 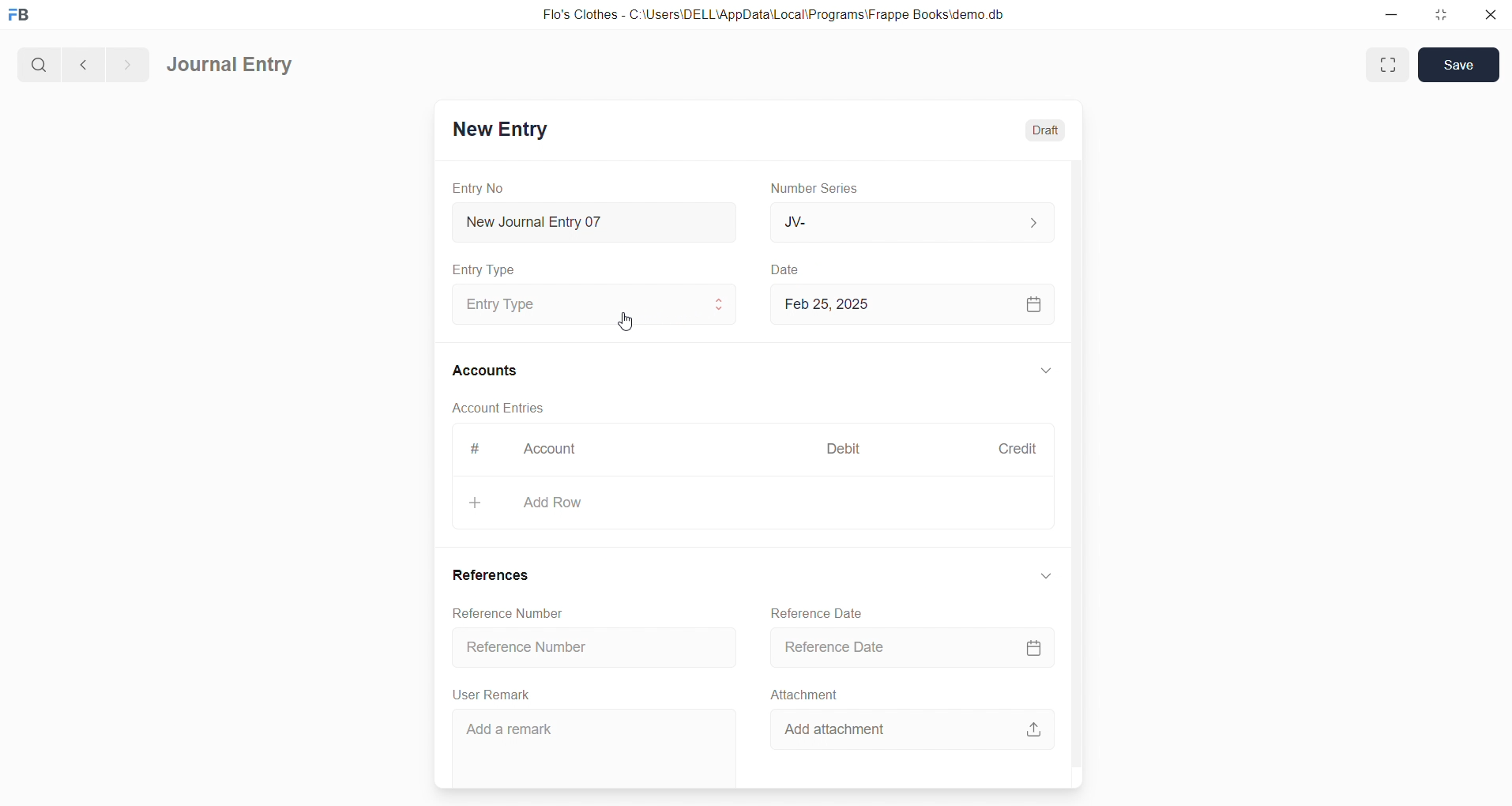 What do you see at coordinates (495, 577) in the screenshot?
I see `References` at bounding box center [495, 577].